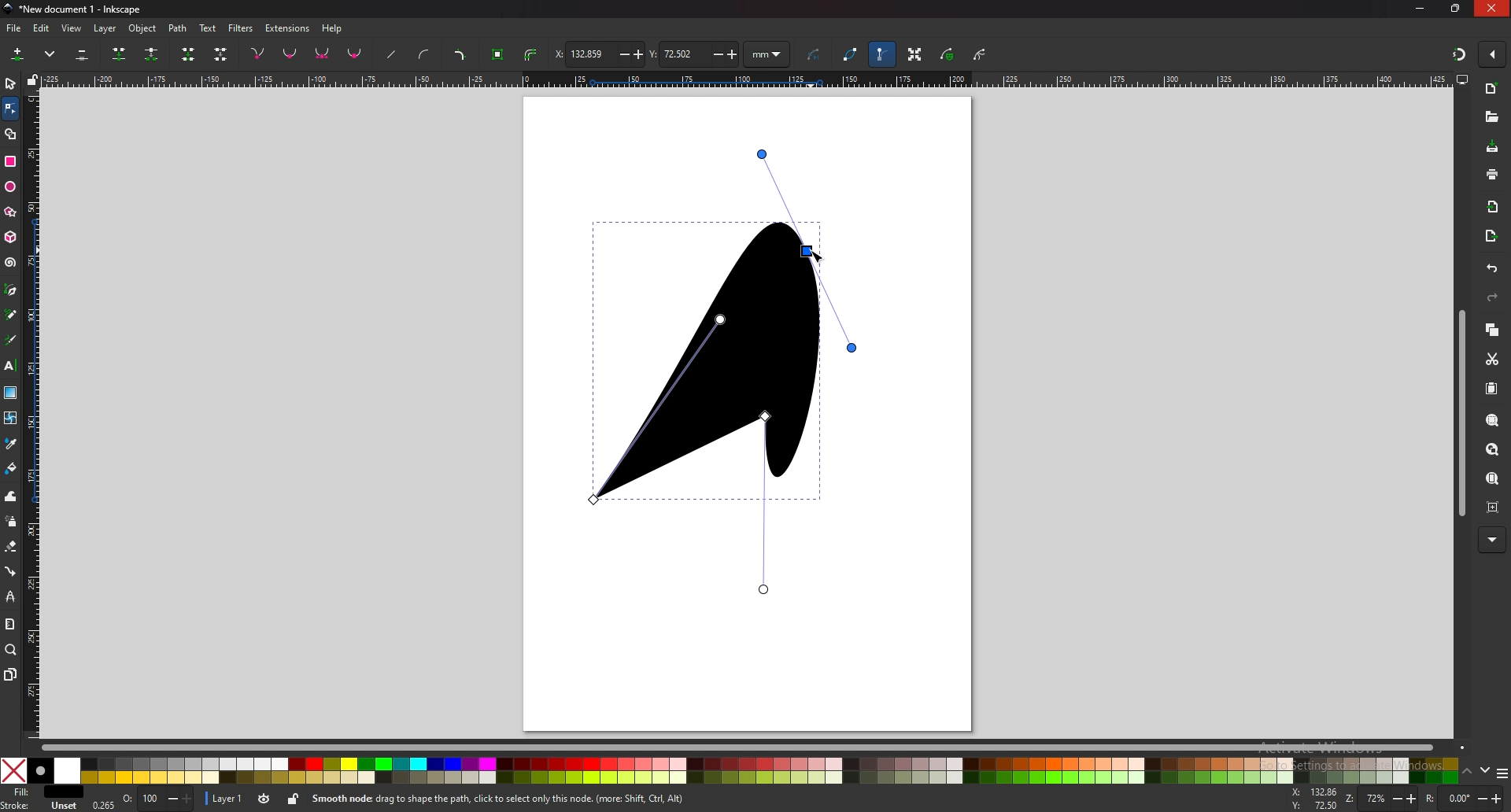  I want to click on join endnodes, so click(190, 54).